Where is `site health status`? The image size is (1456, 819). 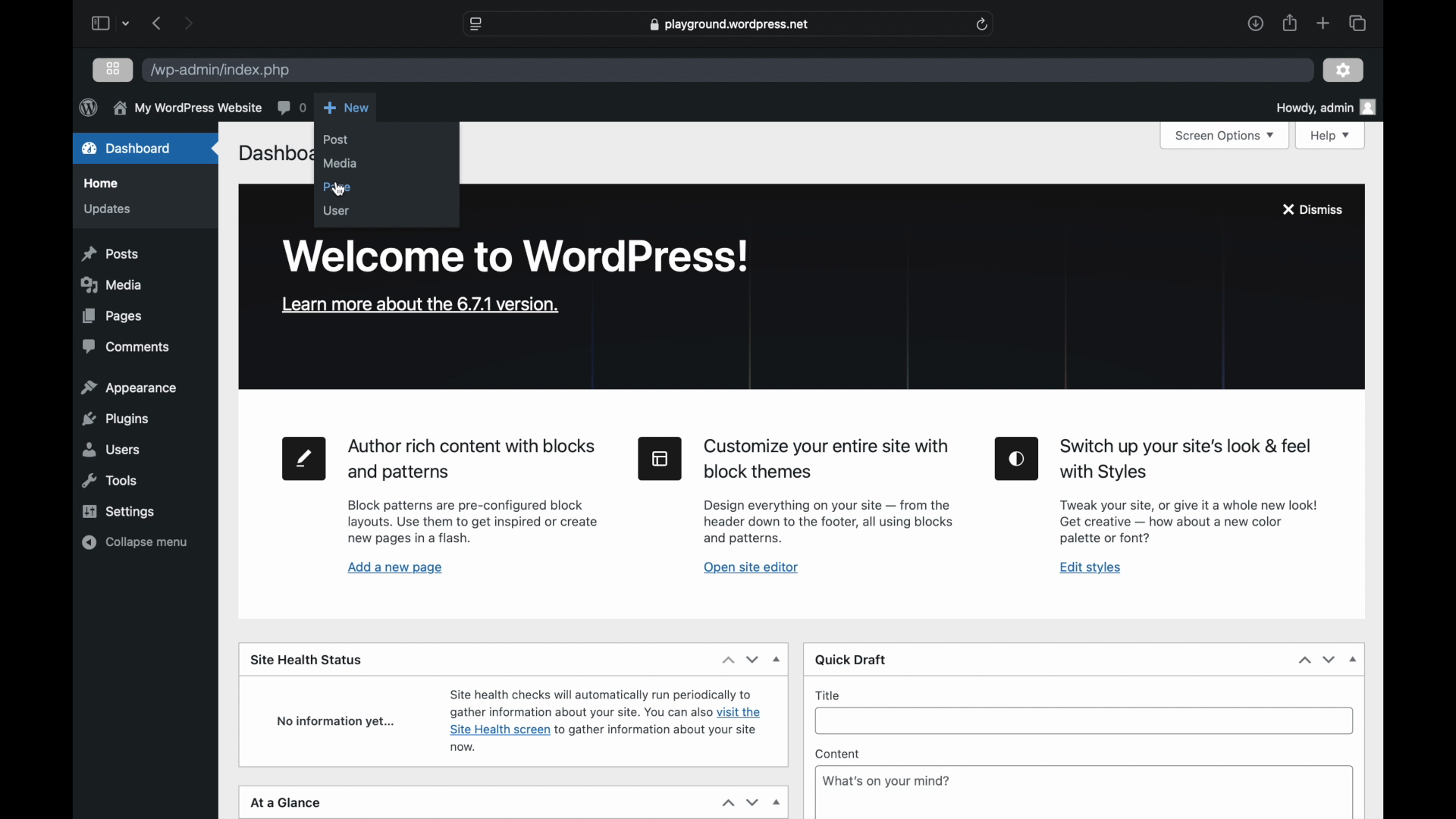 site health status is located at coordinates (307, 660).